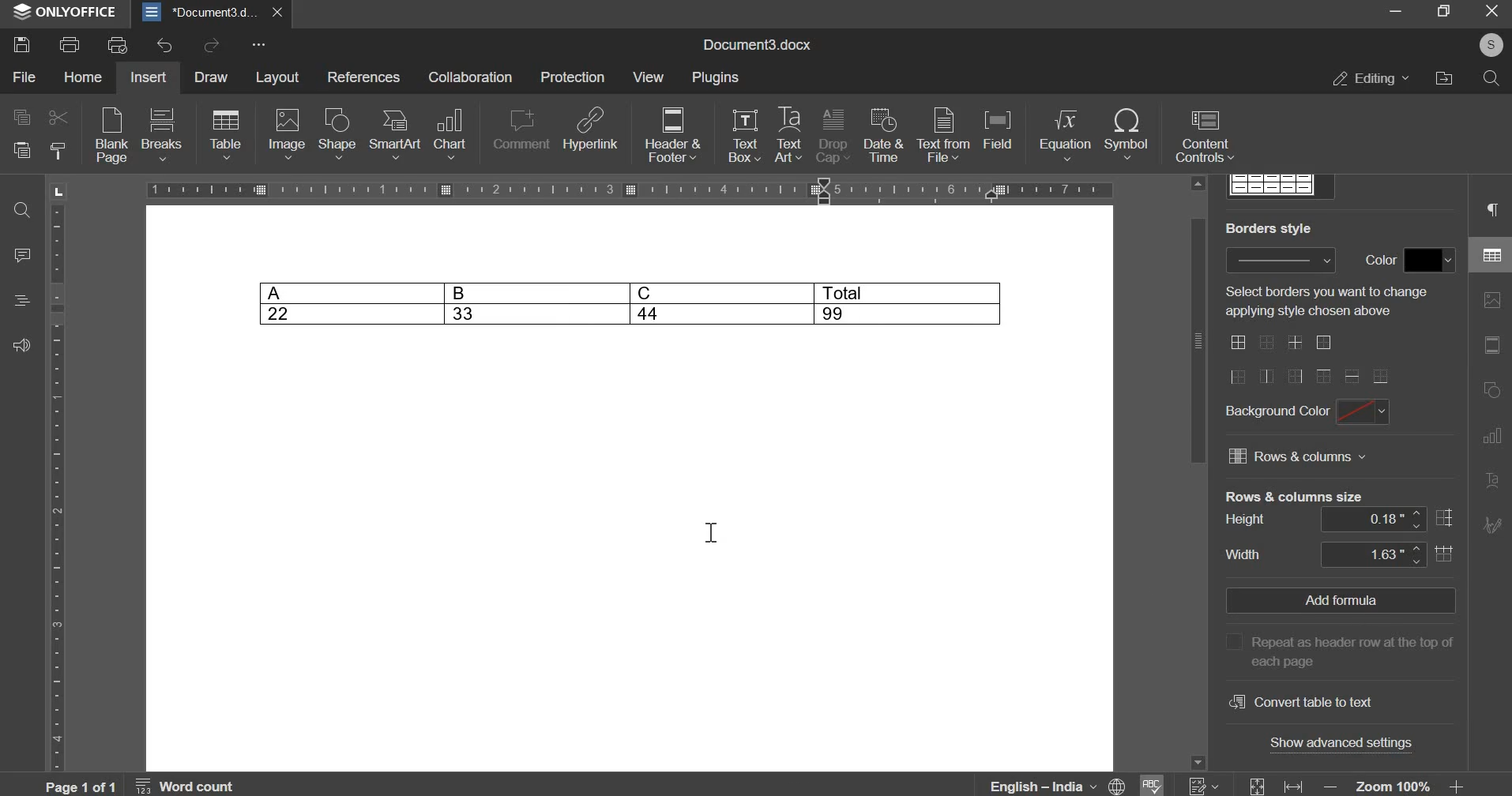 This screenshot has width=1512, height=796. Describe the element at coordinates (225, 135) in the screenshot. I see `table` at that location.